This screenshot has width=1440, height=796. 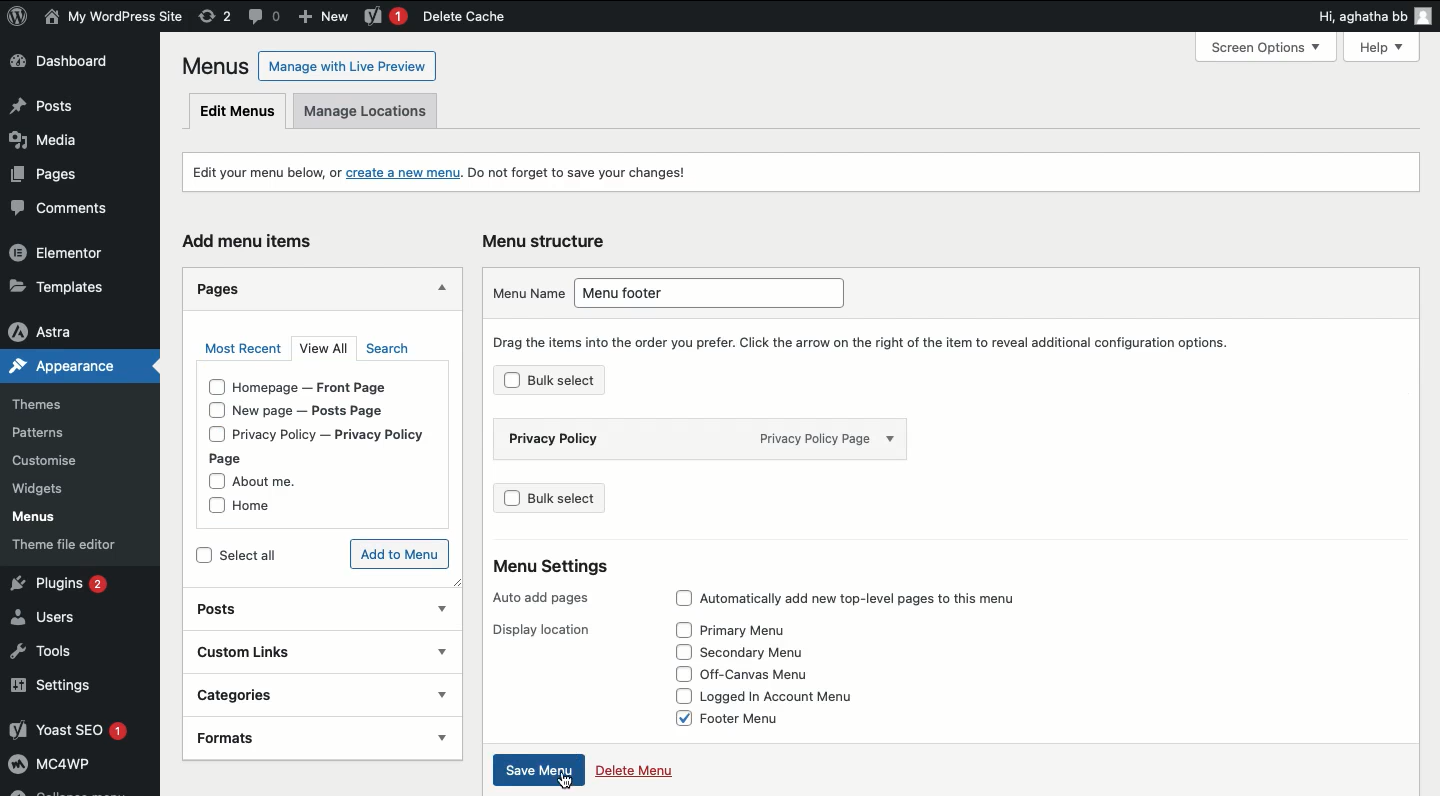 I want to click on Auto add pages, so click(x=539, y=597).